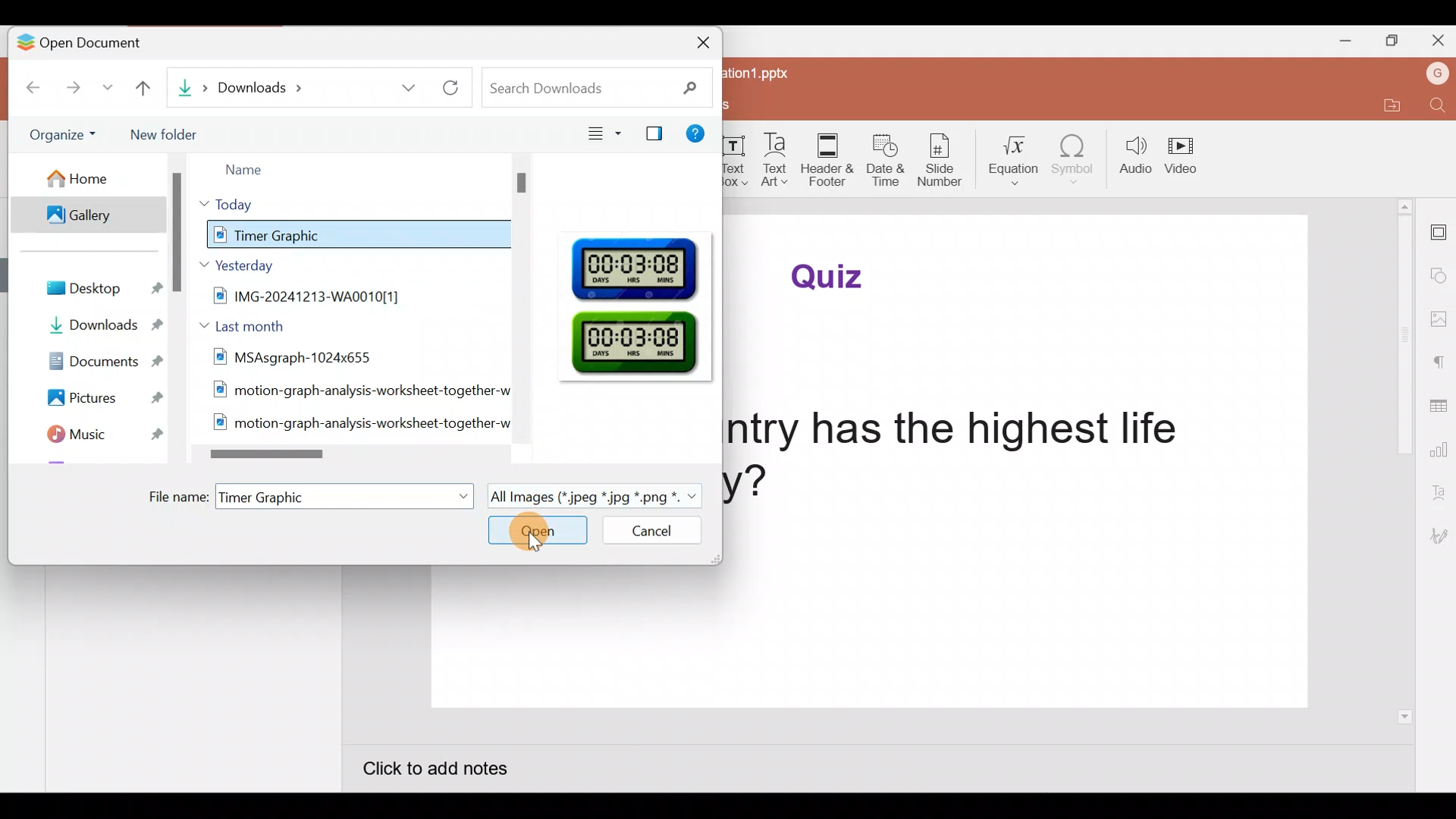 Image resolution: width=1456 pixels, height=819 pixels. Describe the element at coordinates (240, 265) in the screenshot. I see `Yesterday` at that location.